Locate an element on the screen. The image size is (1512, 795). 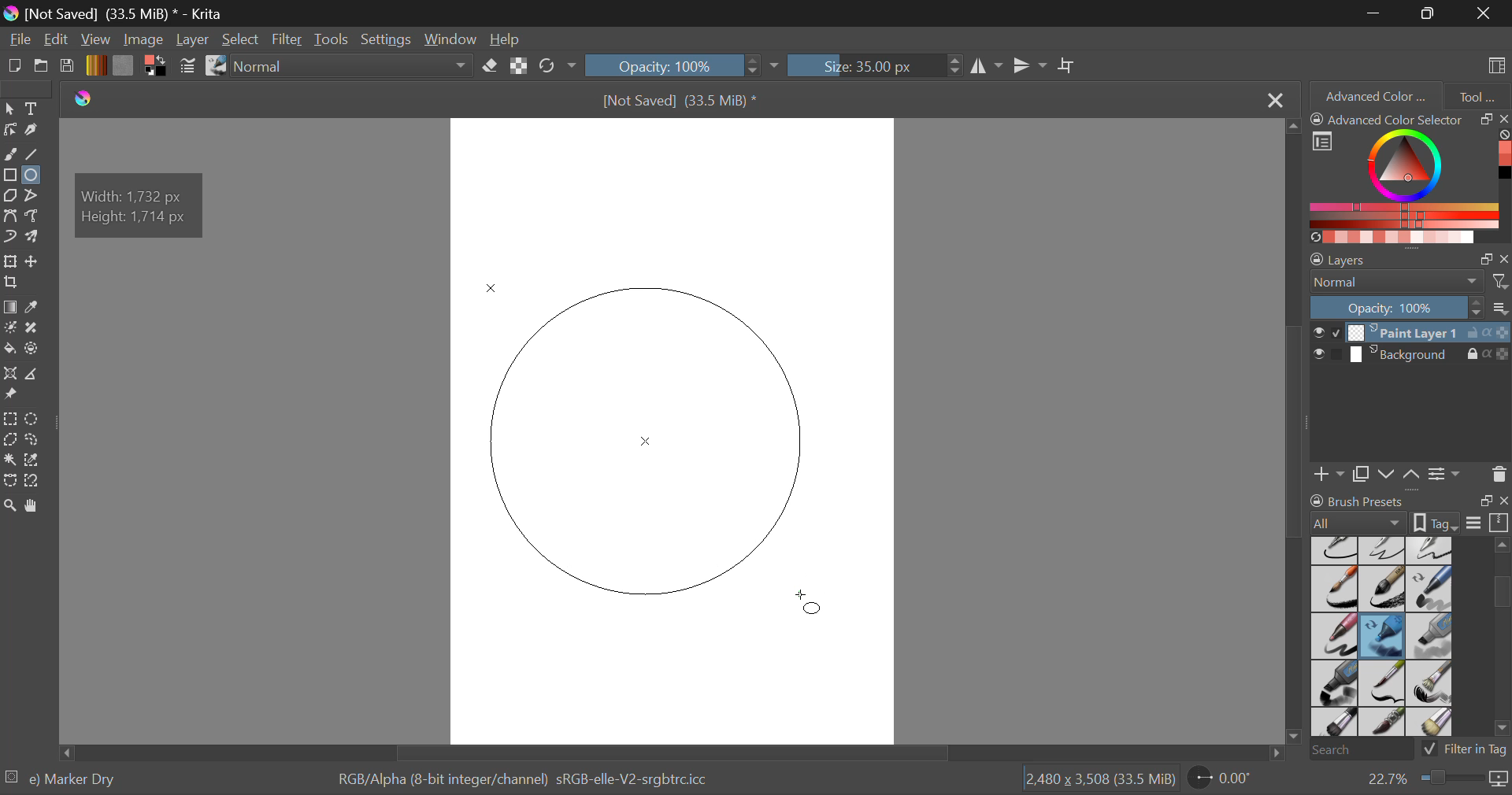
 is located at coordinates (57, 41).